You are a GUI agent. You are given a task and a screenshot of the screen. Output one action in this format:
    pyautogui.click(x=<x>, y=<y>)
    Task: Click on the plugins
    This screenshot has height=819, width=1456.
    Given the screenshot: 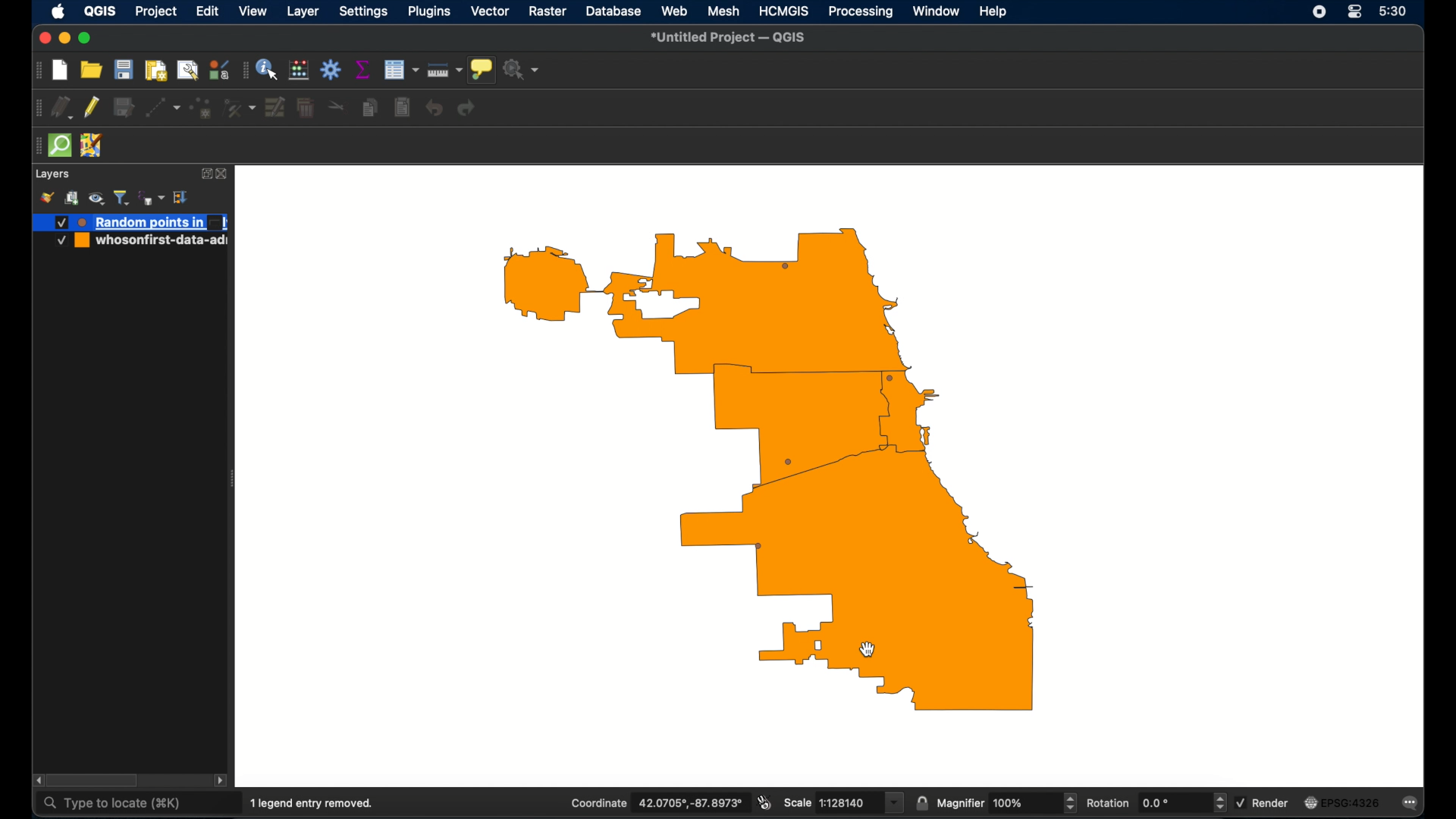 What is the action you would take?
    pyautogui.click(x=429, y=12)
    